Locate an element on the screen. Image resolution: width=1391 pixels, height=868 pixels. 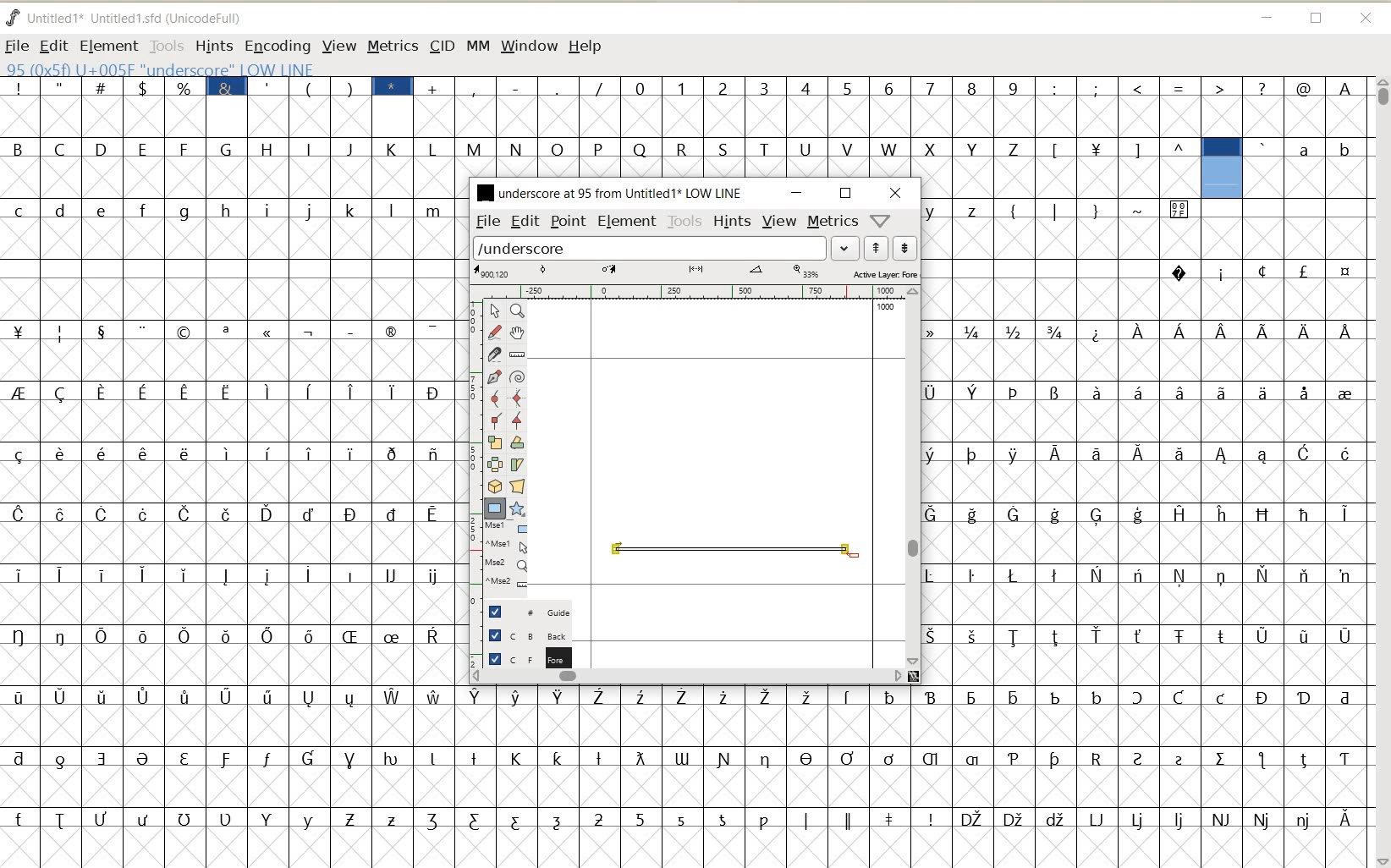
cut splines in two is located at coordinates (492, 354).